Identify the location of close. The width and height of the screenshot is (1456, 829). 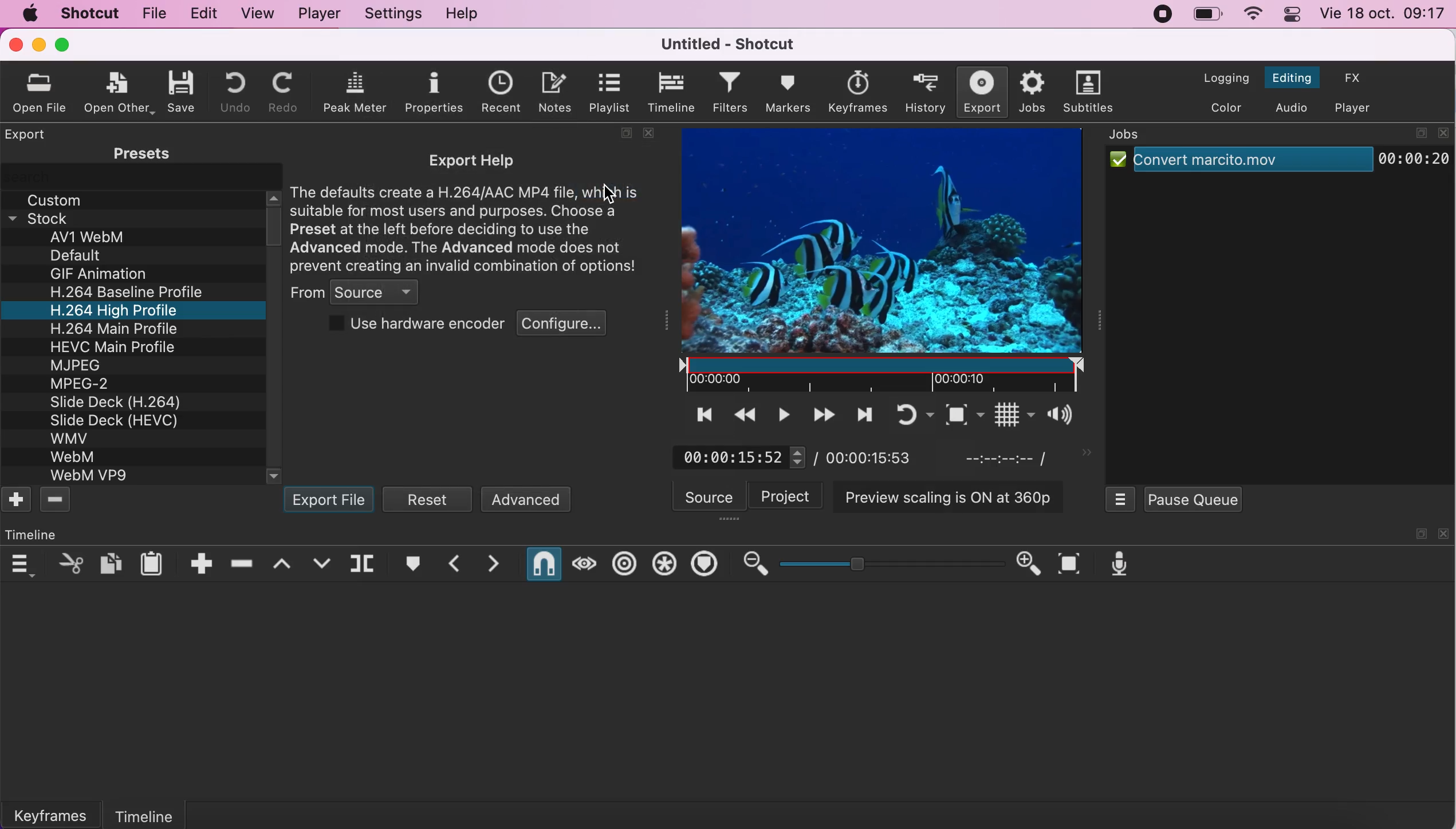
(1444, 534).